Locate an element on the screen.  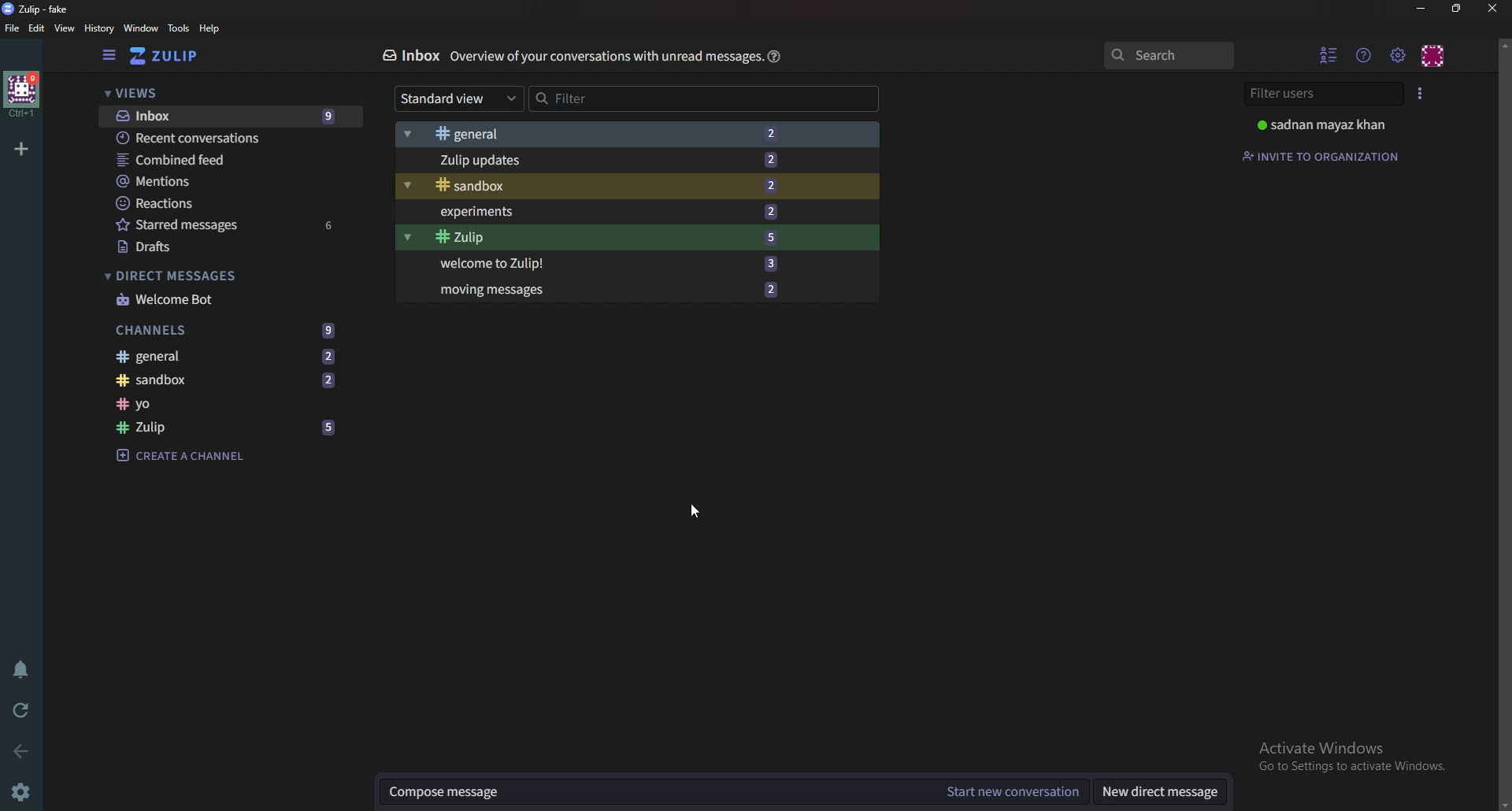
Recent conversations is located at coordinates (220, 139).